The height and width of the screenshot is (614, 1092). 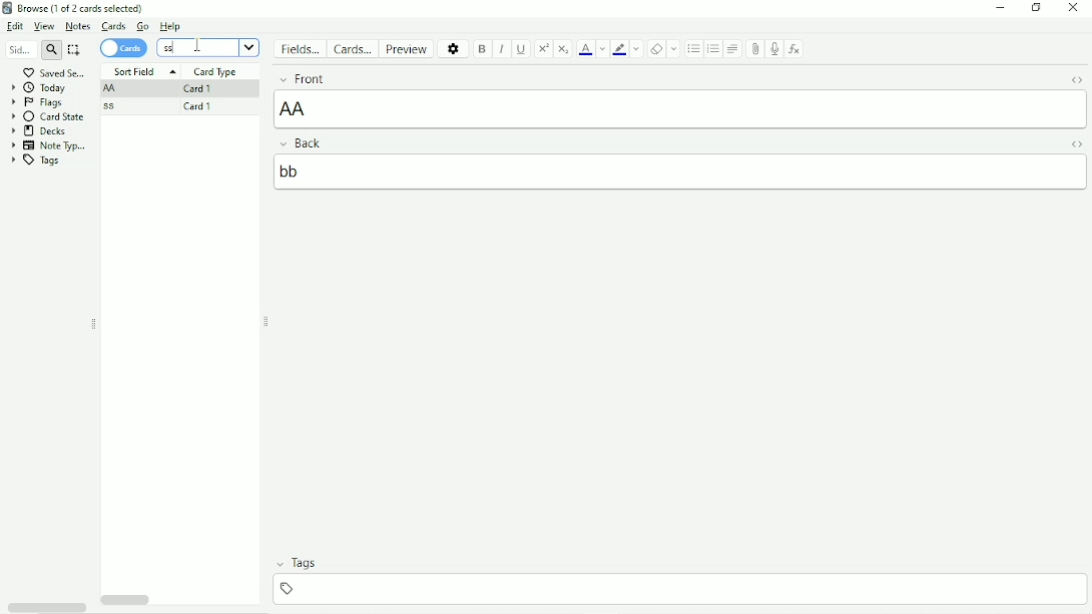 What do you see at coordinates (46, 606) in the screenshot?
I see `Horizontal scrollbar` at bounding box center [46, 606].